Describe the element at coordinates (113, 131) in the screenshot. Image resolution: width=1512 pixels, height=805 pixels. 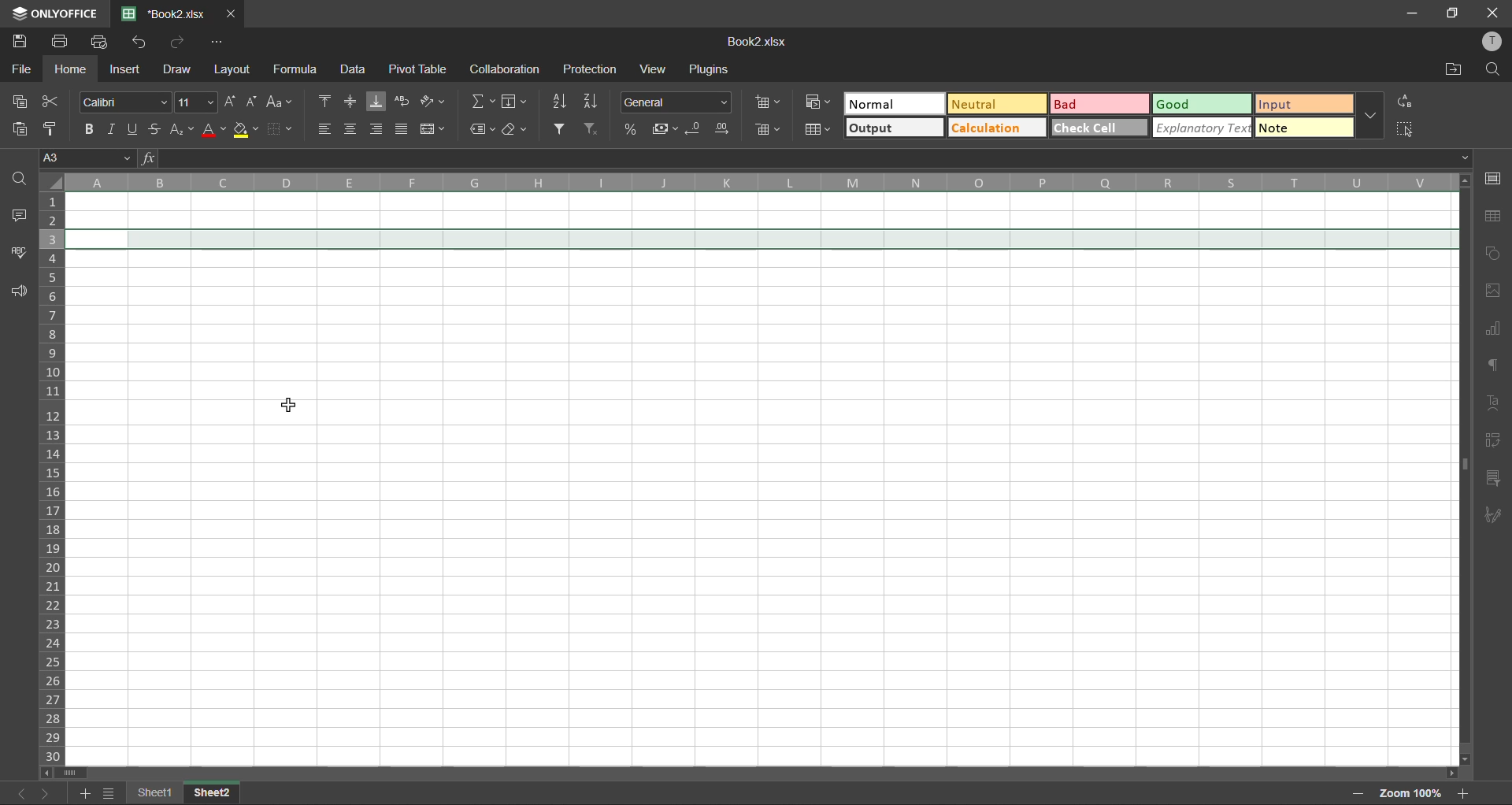
I see `italic` at that location.